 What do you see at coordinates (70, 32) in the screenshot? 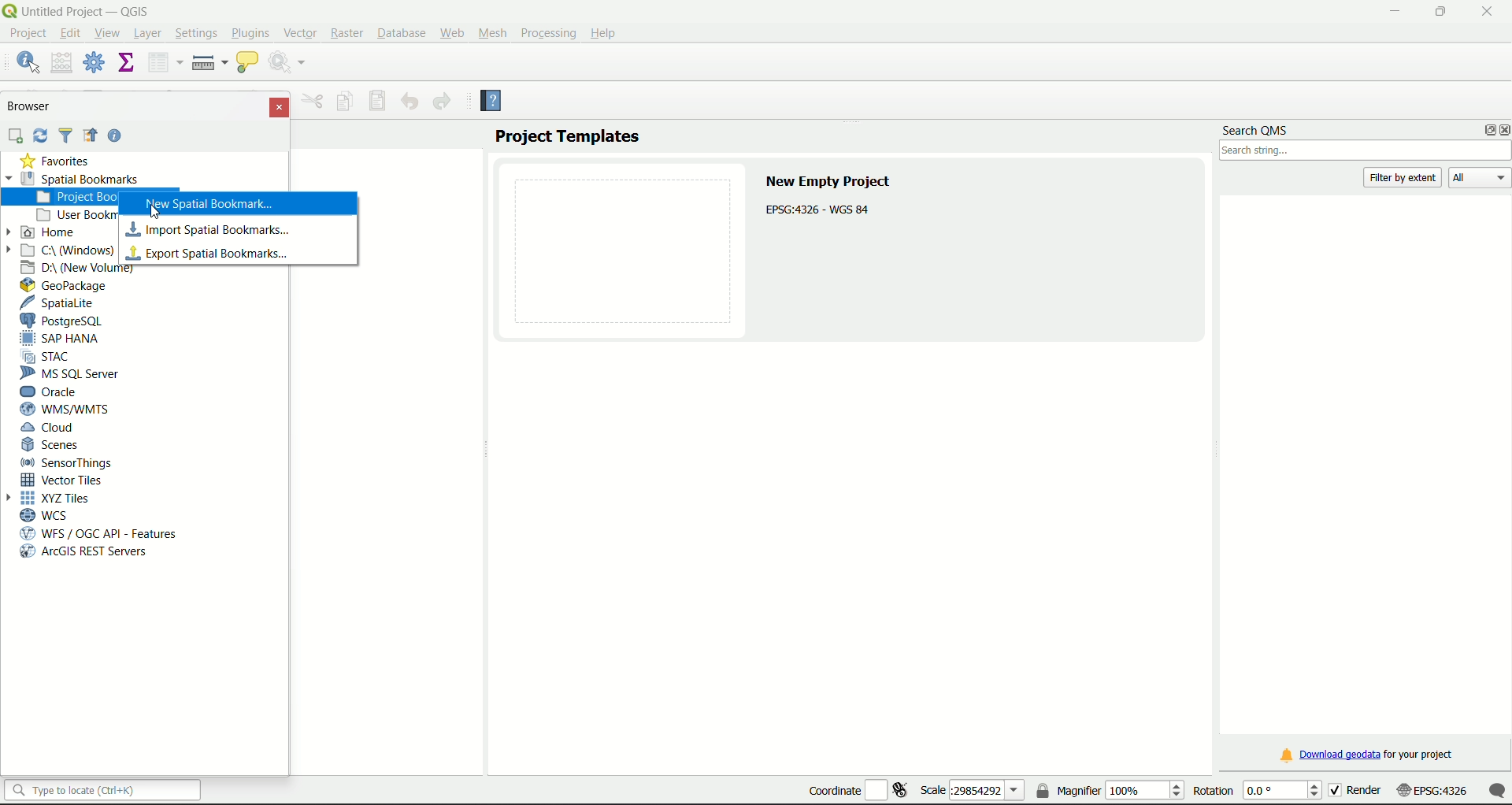
I see `edit` at bounding box center [70, 32].